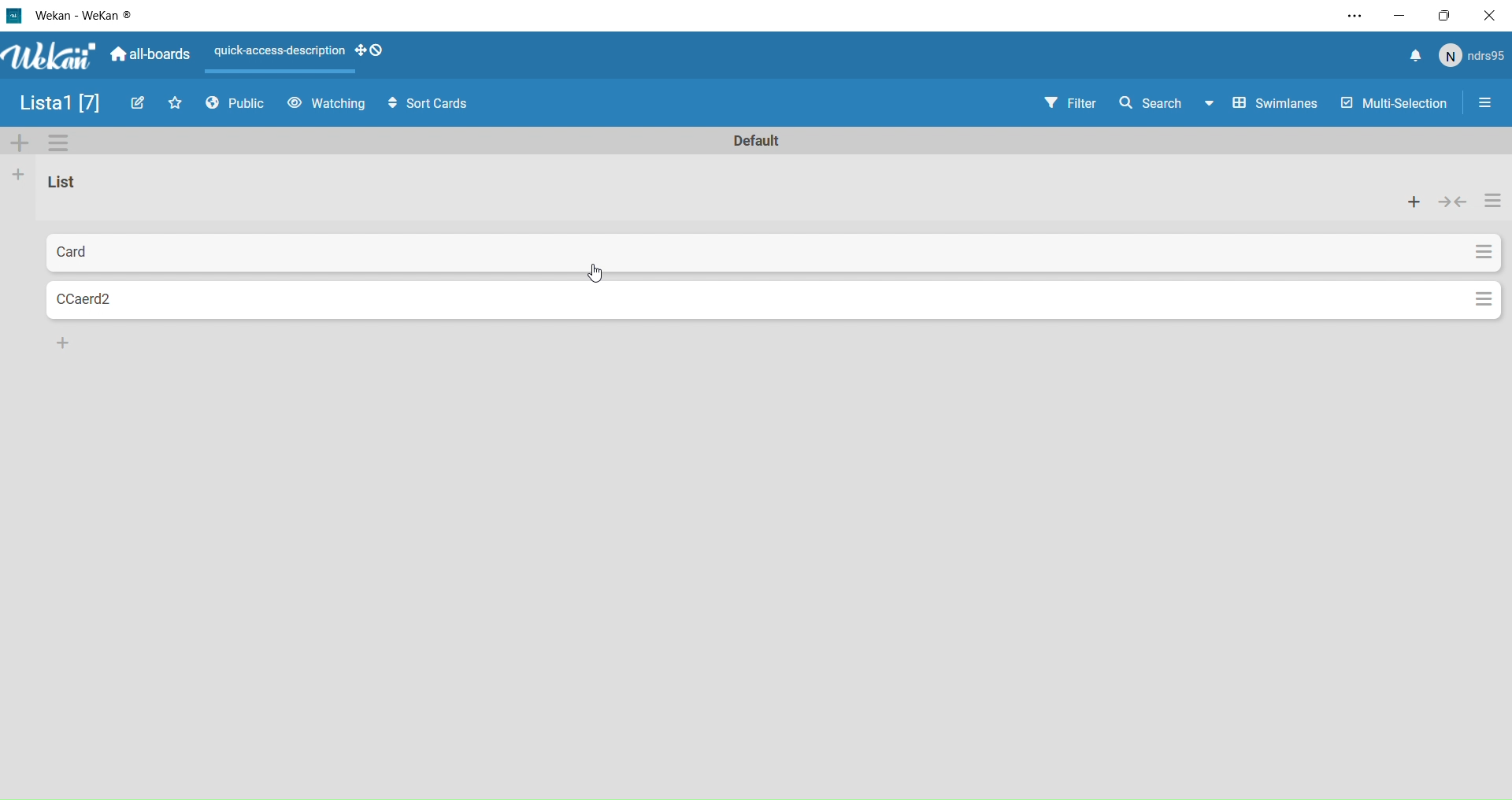  I want to click on Sort Cards, so click(430, 106).